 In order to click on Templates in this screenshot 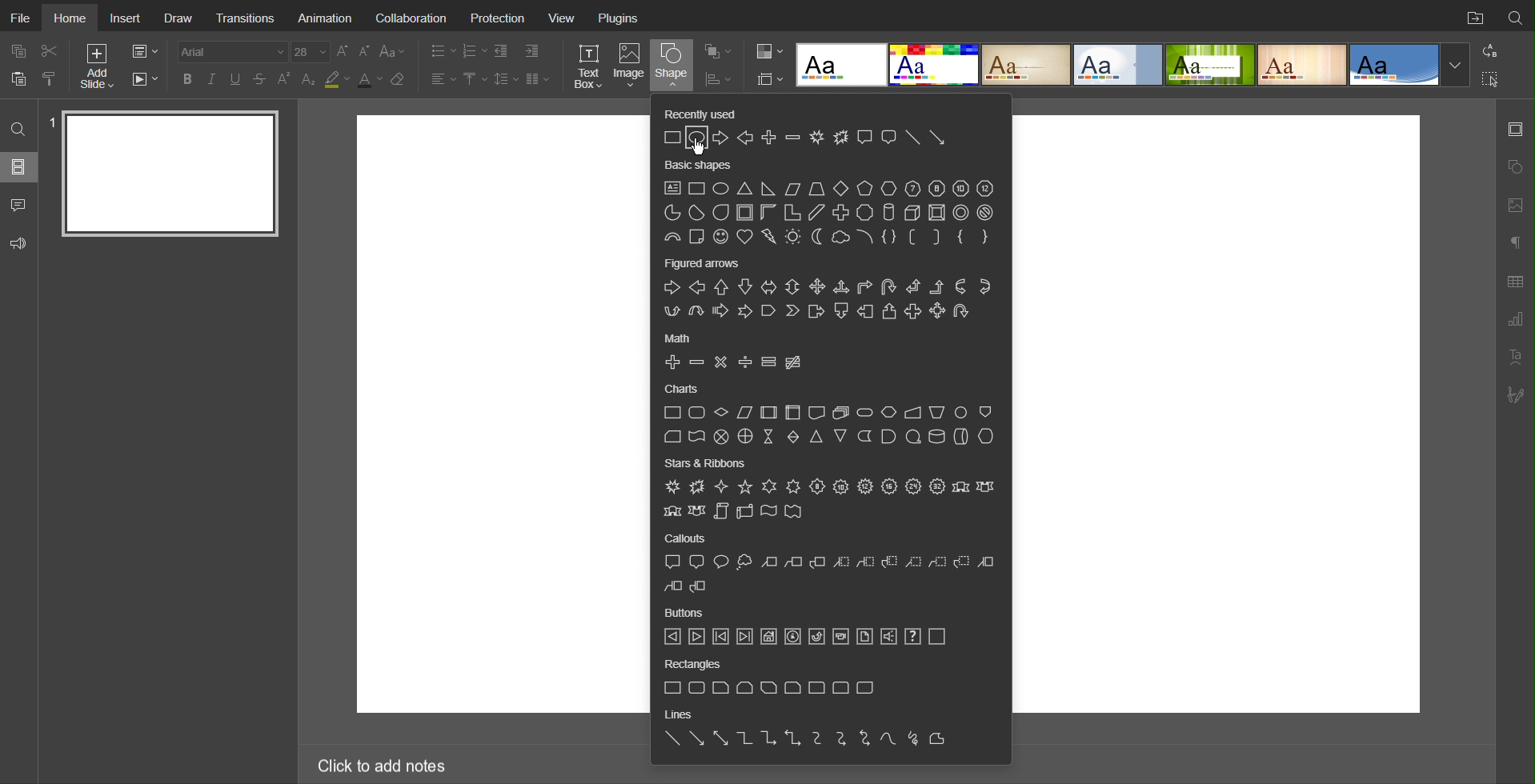, I will do `click(1132, 64)`.